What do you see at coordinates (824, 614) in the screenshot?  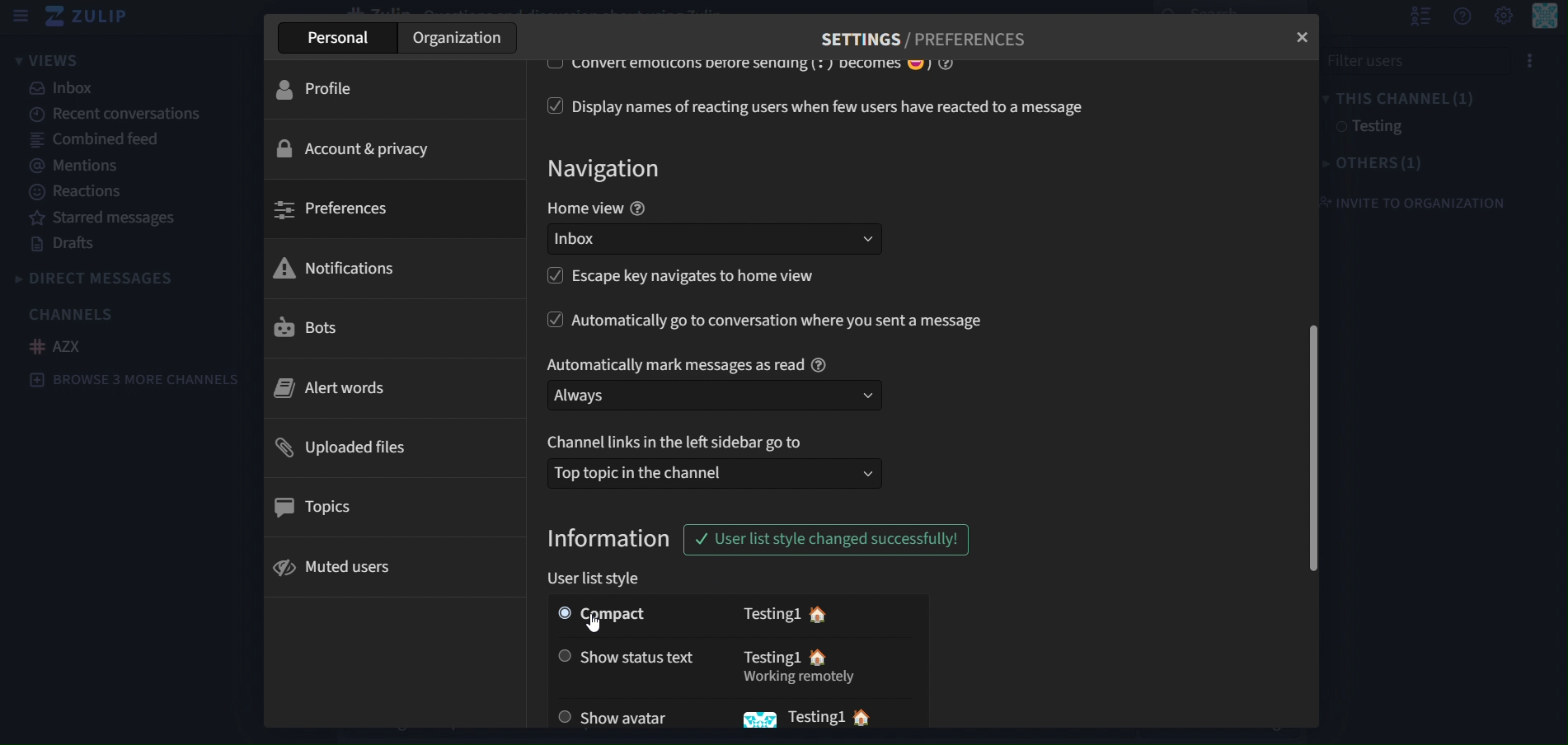 I see `Home` at bounding box center [824, 614].